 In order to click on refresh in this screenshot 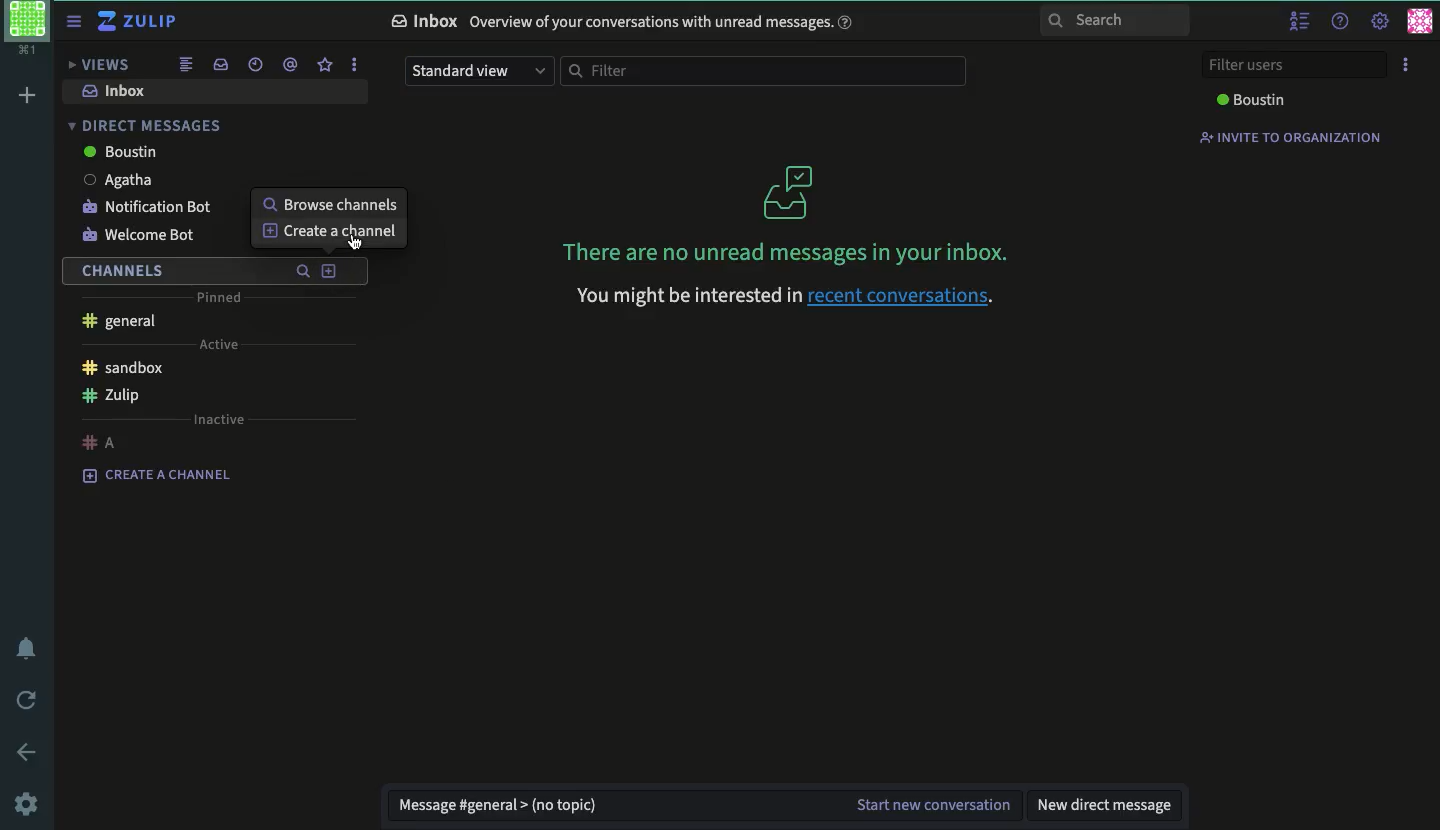, I will do `click(29, 697)`.